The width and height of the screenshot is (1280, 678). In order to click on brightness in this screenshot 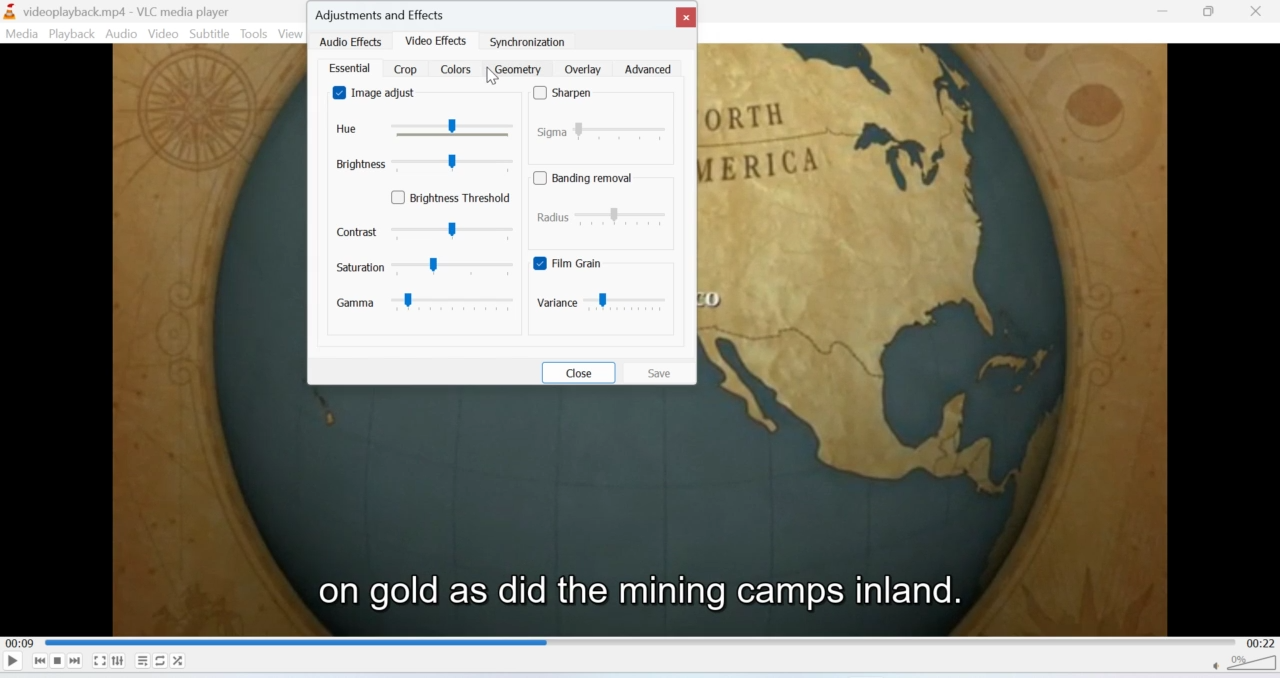, I will do `click(424, 162)`.